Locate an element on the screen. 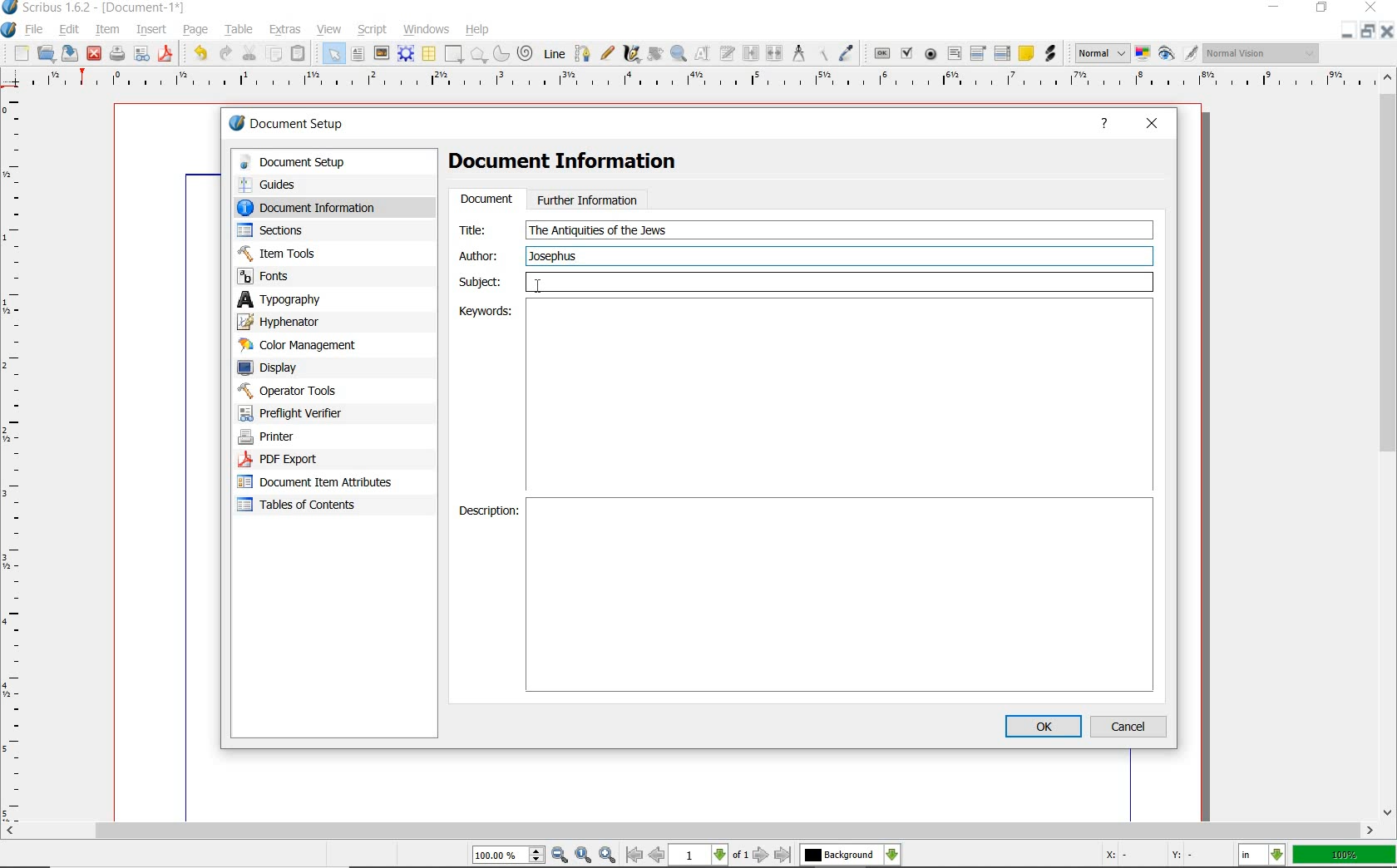 The height and width of the screenshot is (868, 1397). document information is located at coordinates (323, 207).